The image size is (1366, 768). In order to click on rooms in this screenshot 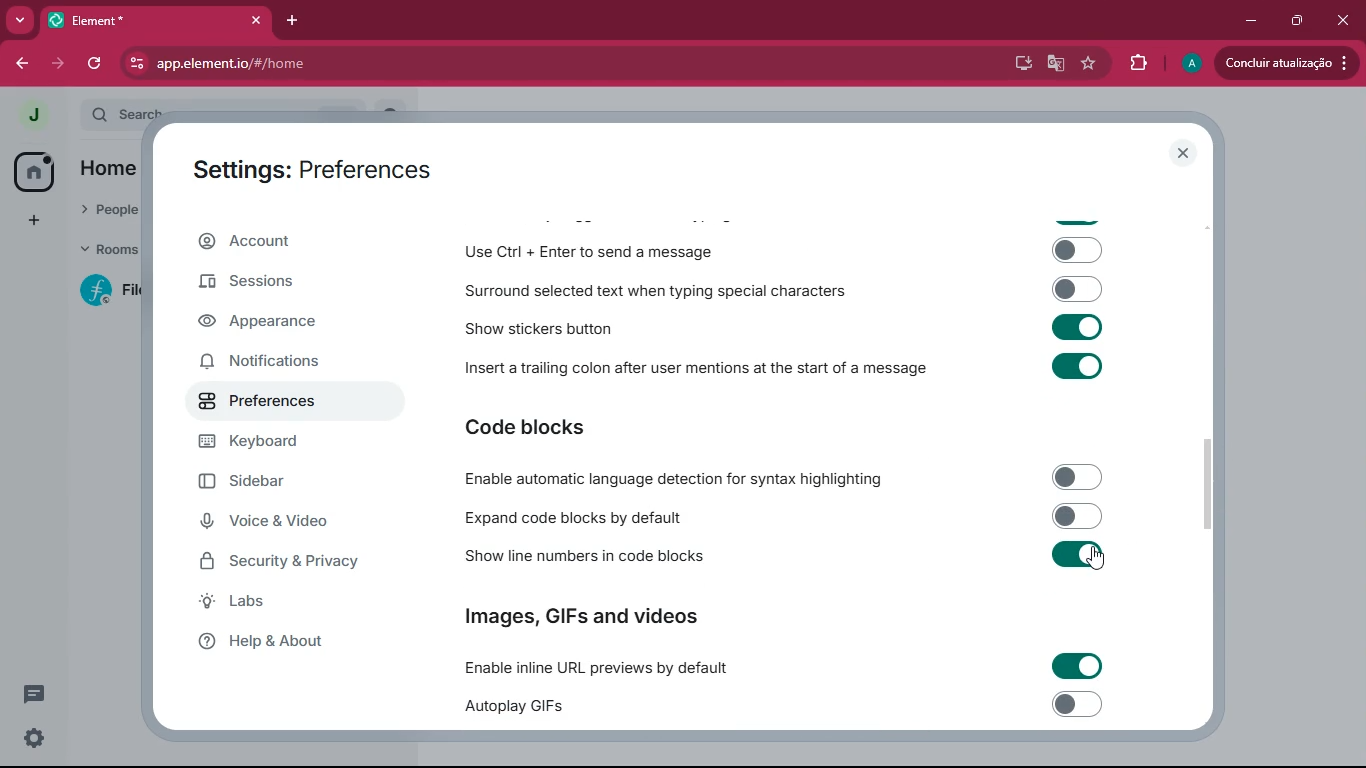, I will do `click(108, 252)`.